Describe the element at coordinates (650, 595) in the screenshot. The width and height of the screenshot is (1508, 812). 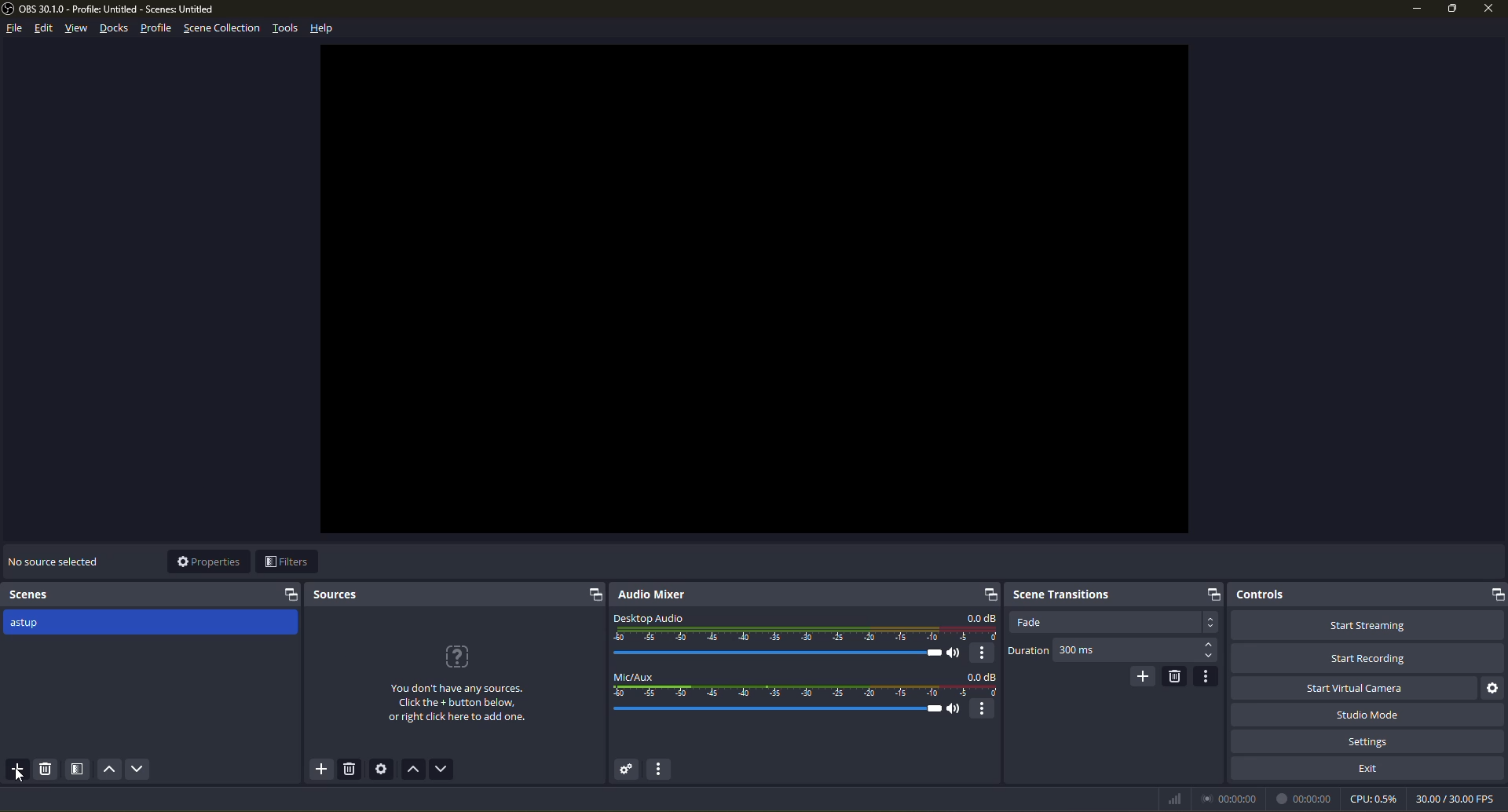
I see `audio mixer` at that location.